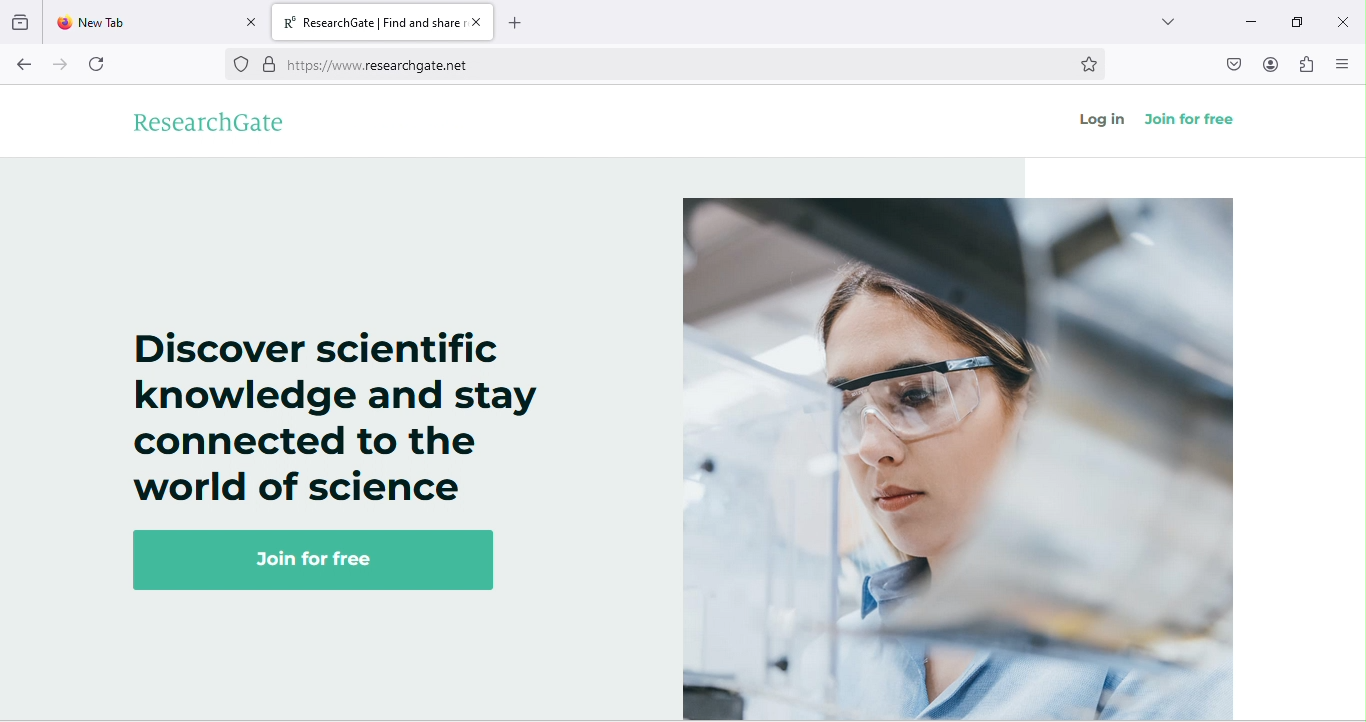  Describe the element at coordinates (219, 124) in the screenshot. I see `research gate` at that location.